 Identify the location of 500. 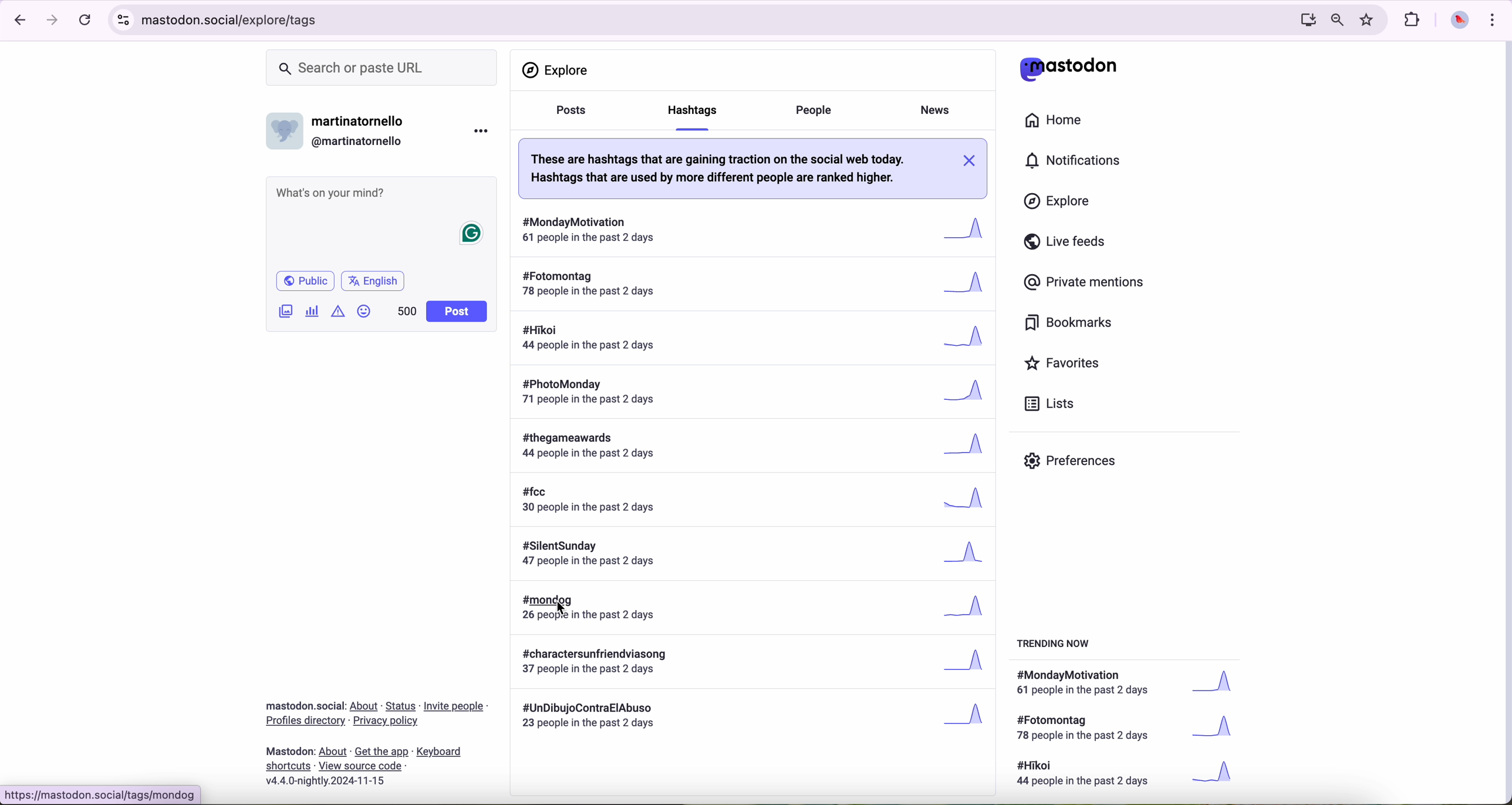
(406, 312).